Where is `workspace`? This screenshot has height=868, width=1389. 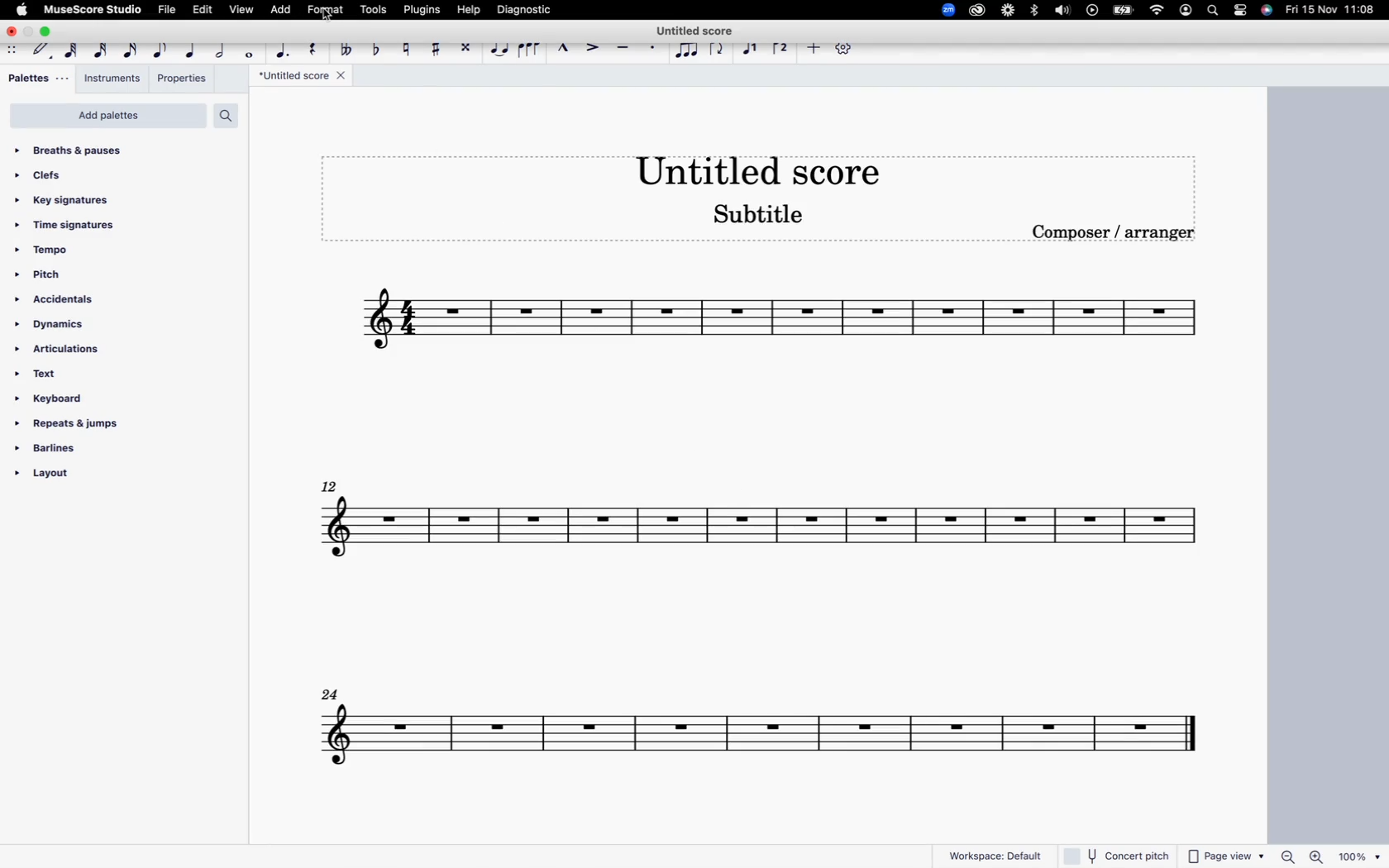
workspace is located at coordinates (998, 856).